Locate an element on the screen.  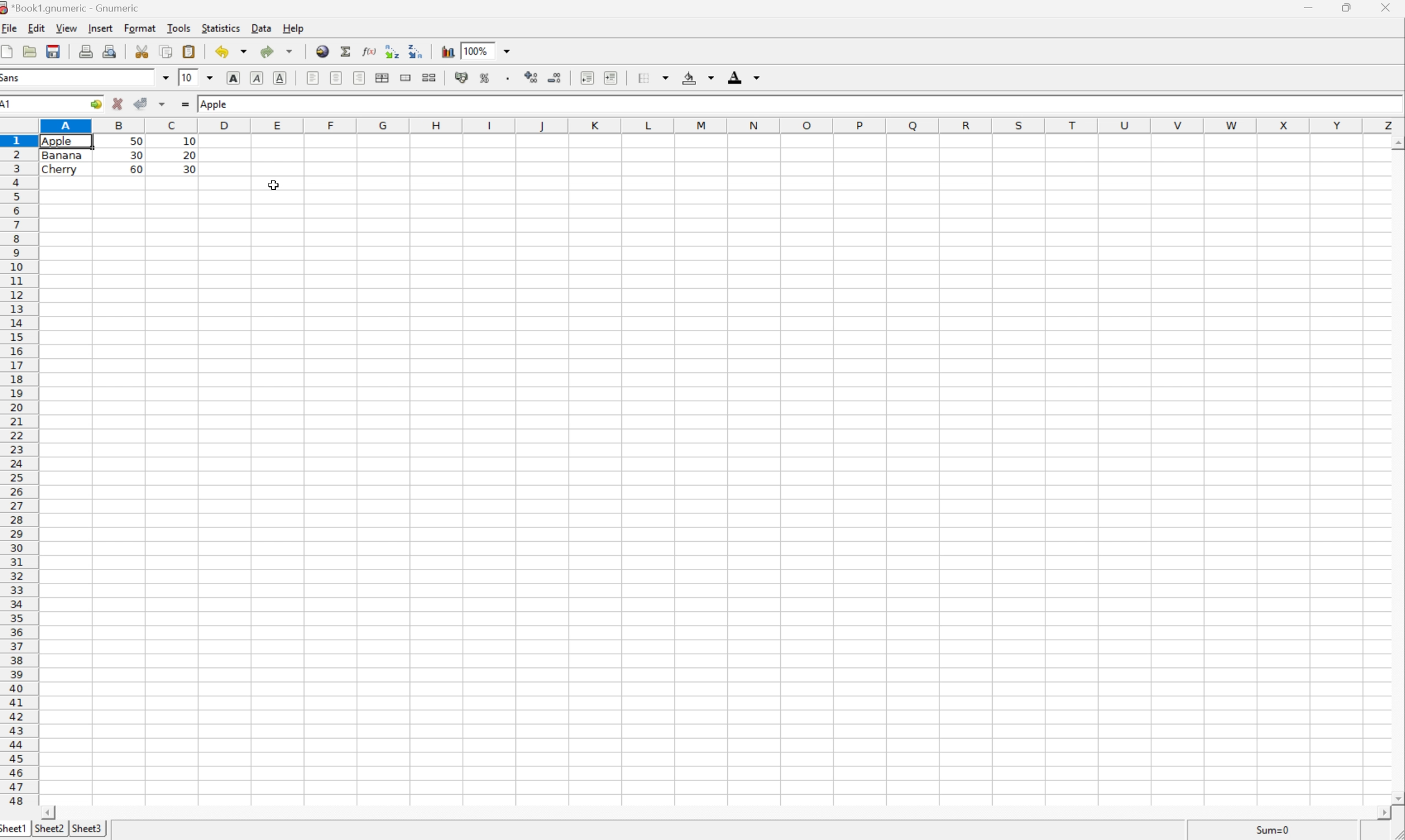
column names is located at coordinates (716, 126).